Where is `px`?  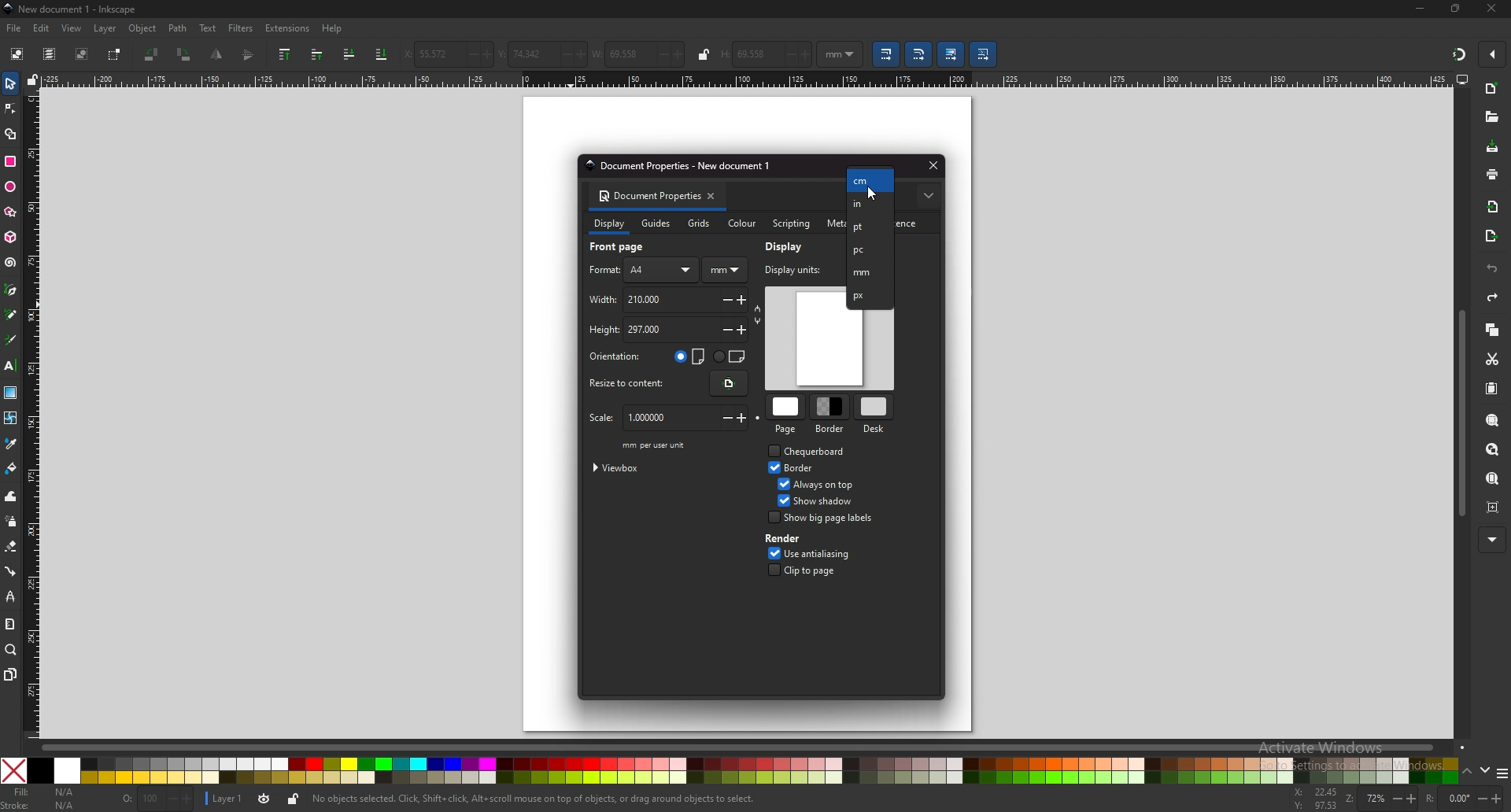 px is located at coordinates (870, 295).